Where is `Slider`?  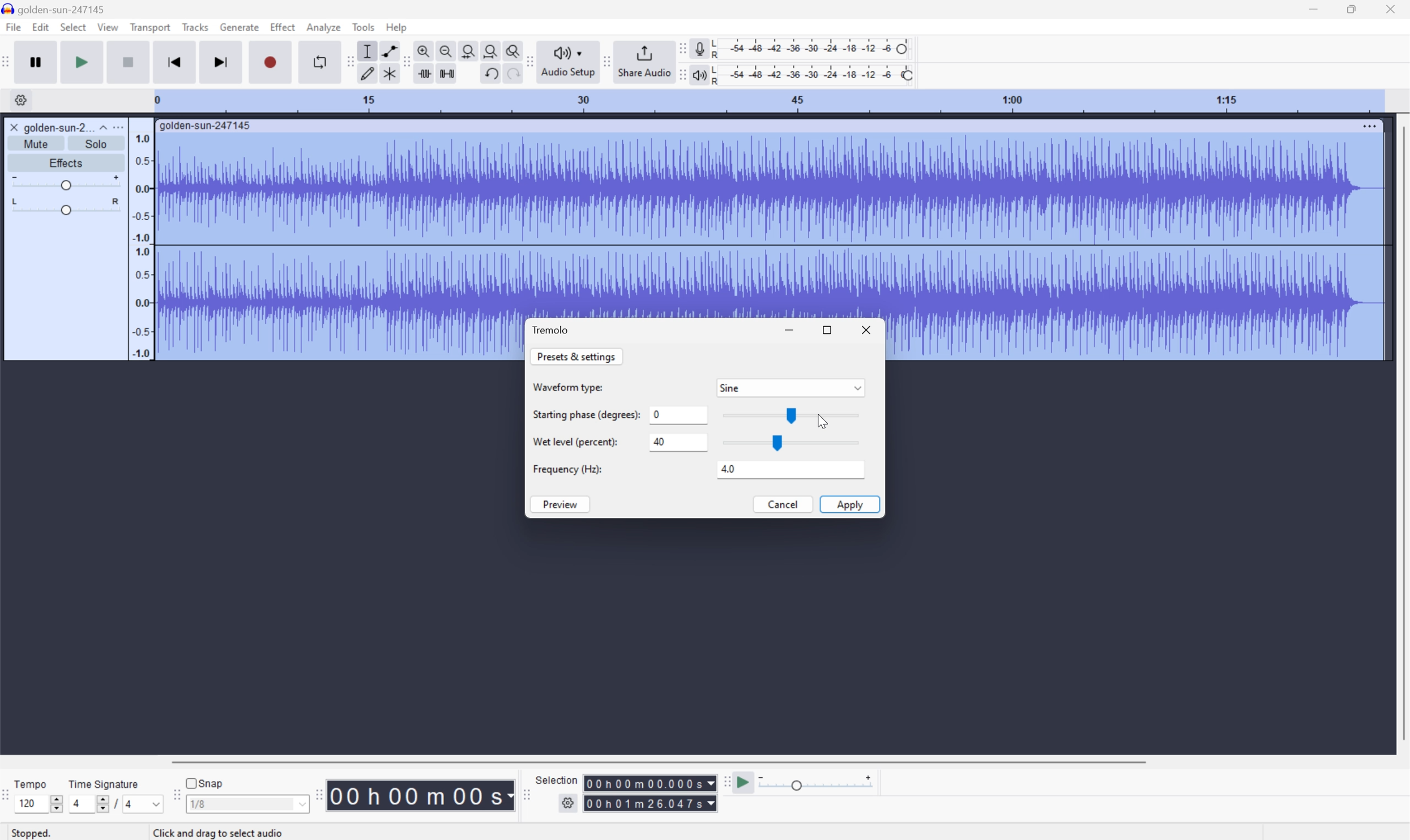 Slider is located at coordinates (788, 414).